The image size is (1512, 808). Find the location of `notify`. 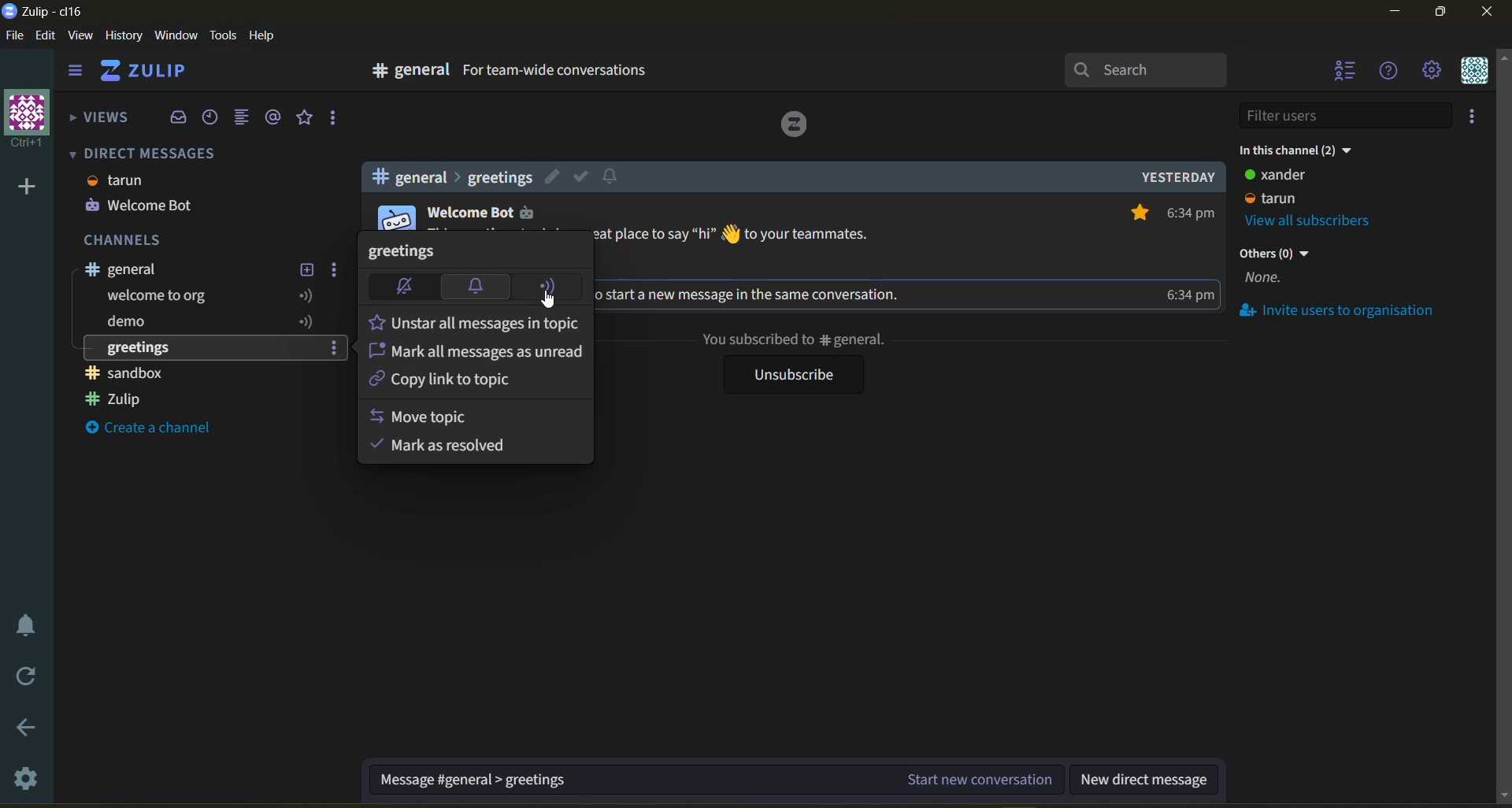

notify is located at coordinates (612, 178).